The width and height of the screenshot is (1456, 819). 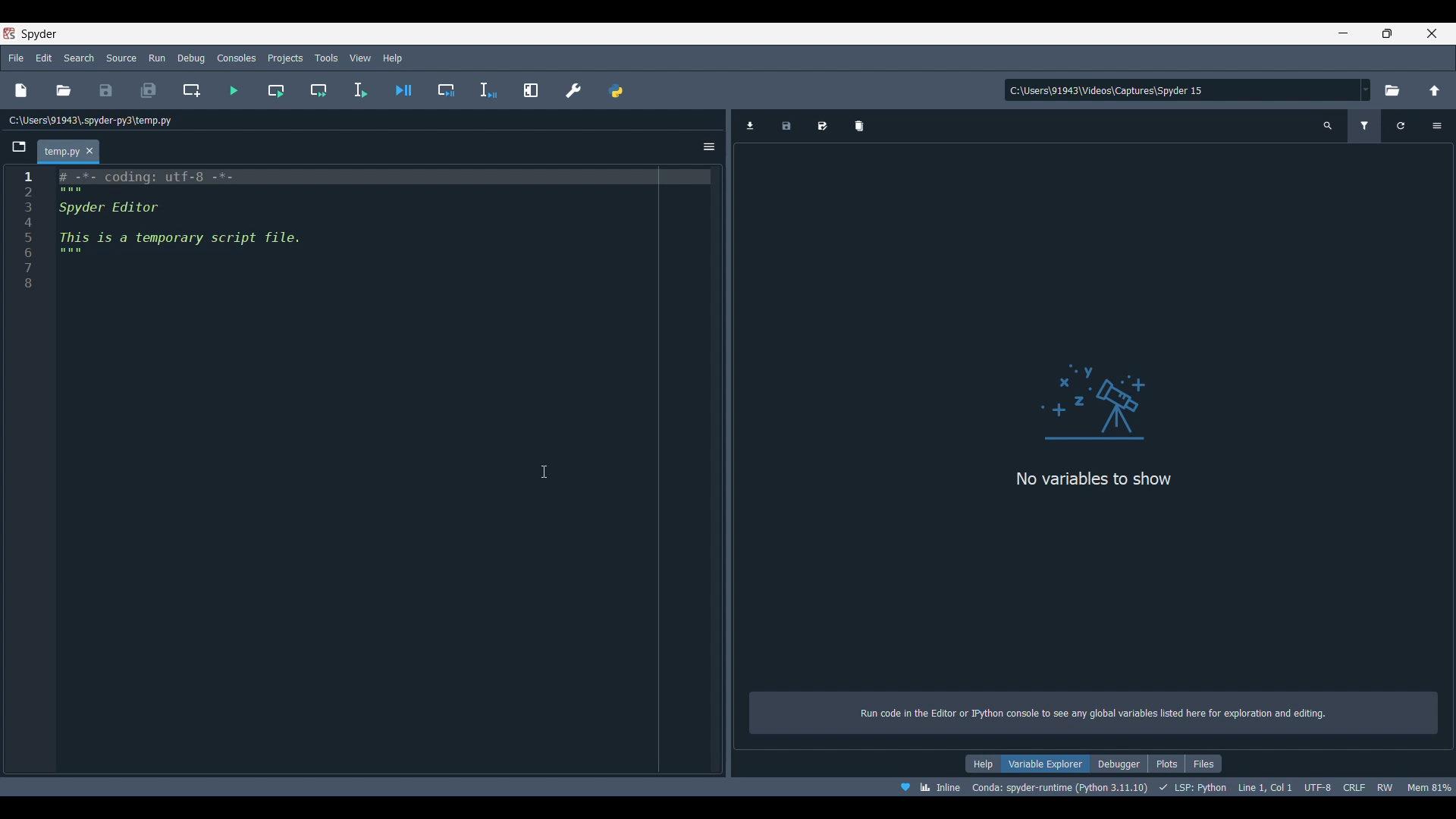 What do you see at coordinates (39, 34) in the screenshot?
I see `Software name` at bounding box center [39, 34].